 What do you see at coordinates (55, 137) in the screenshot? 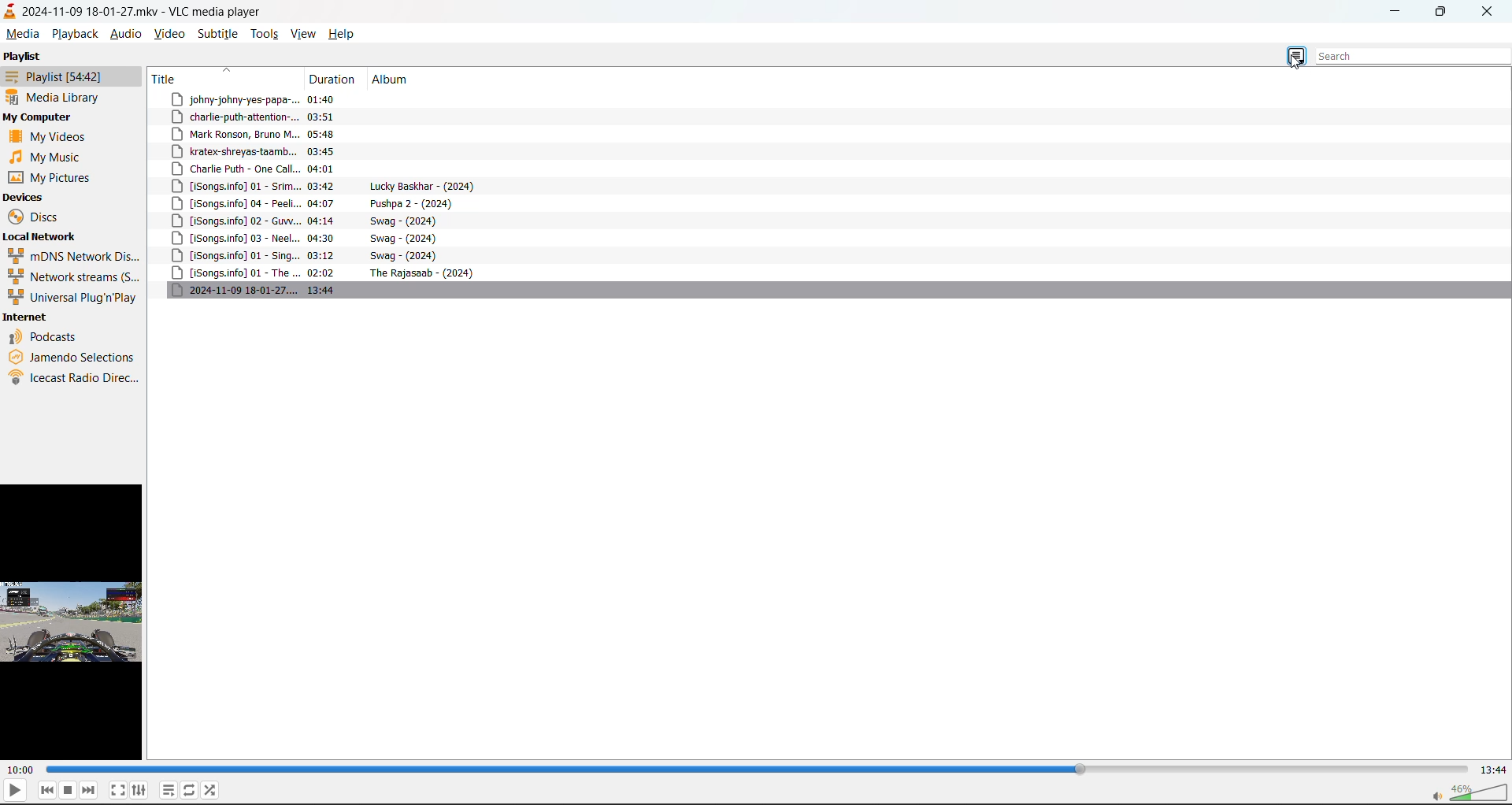
I see `videos` at bounding box center [55, 137].